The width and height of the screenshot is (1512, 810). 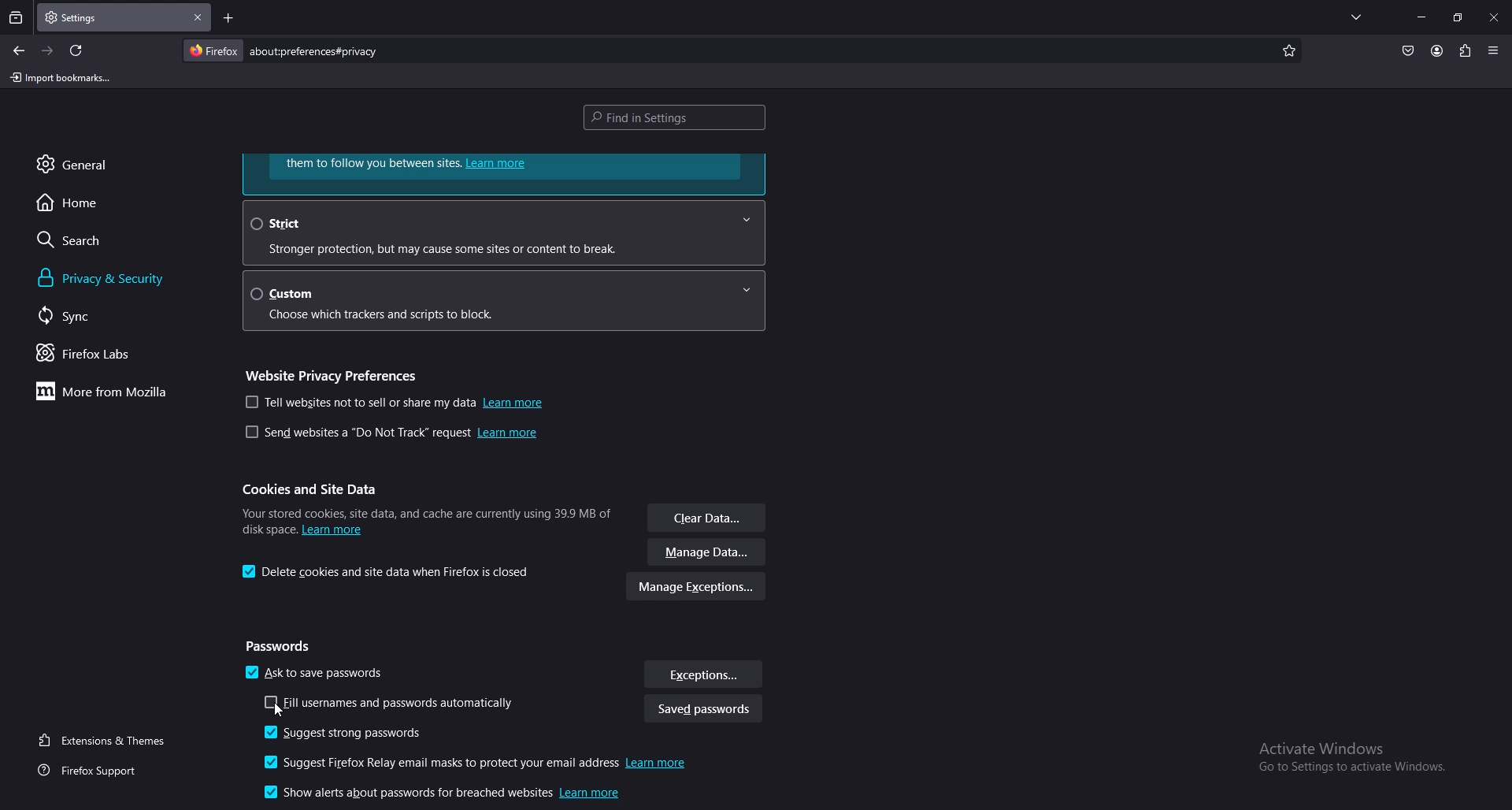 I want to click on more from mozilla, so click(x=110, y=393).